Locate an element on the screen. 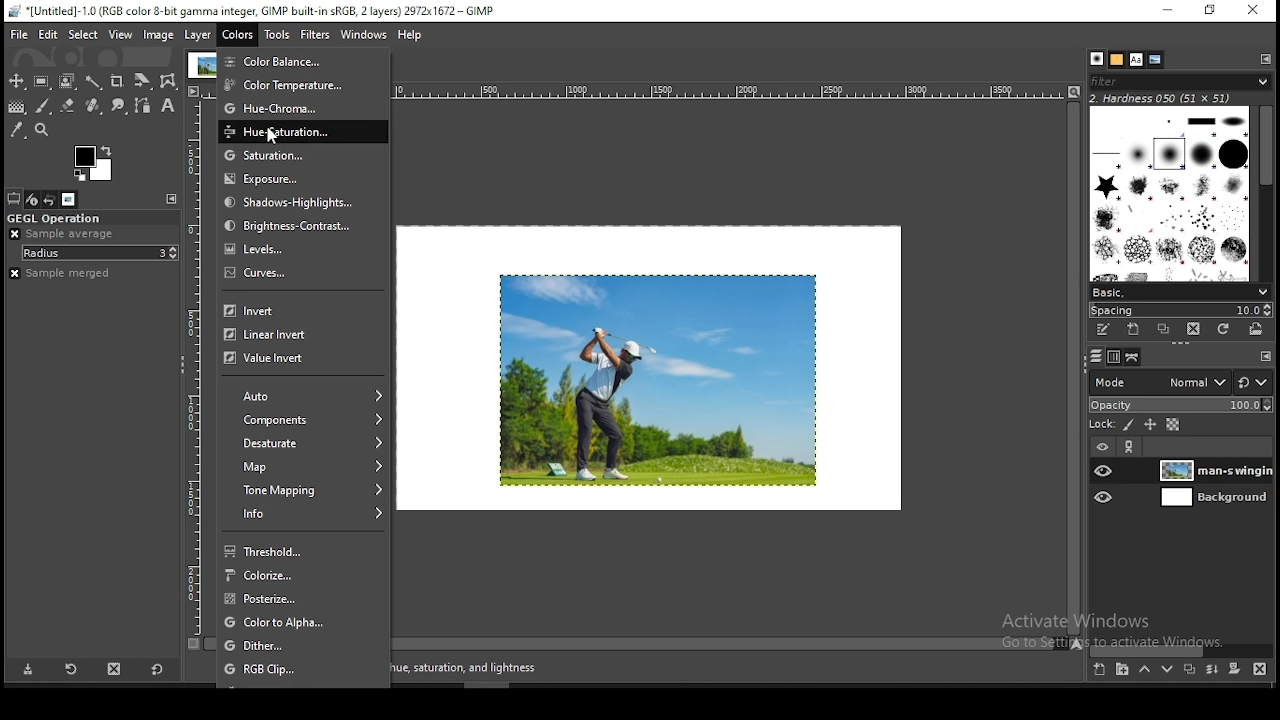 The image size is (1280, 720). ample average is located at coordinates (63, 233).